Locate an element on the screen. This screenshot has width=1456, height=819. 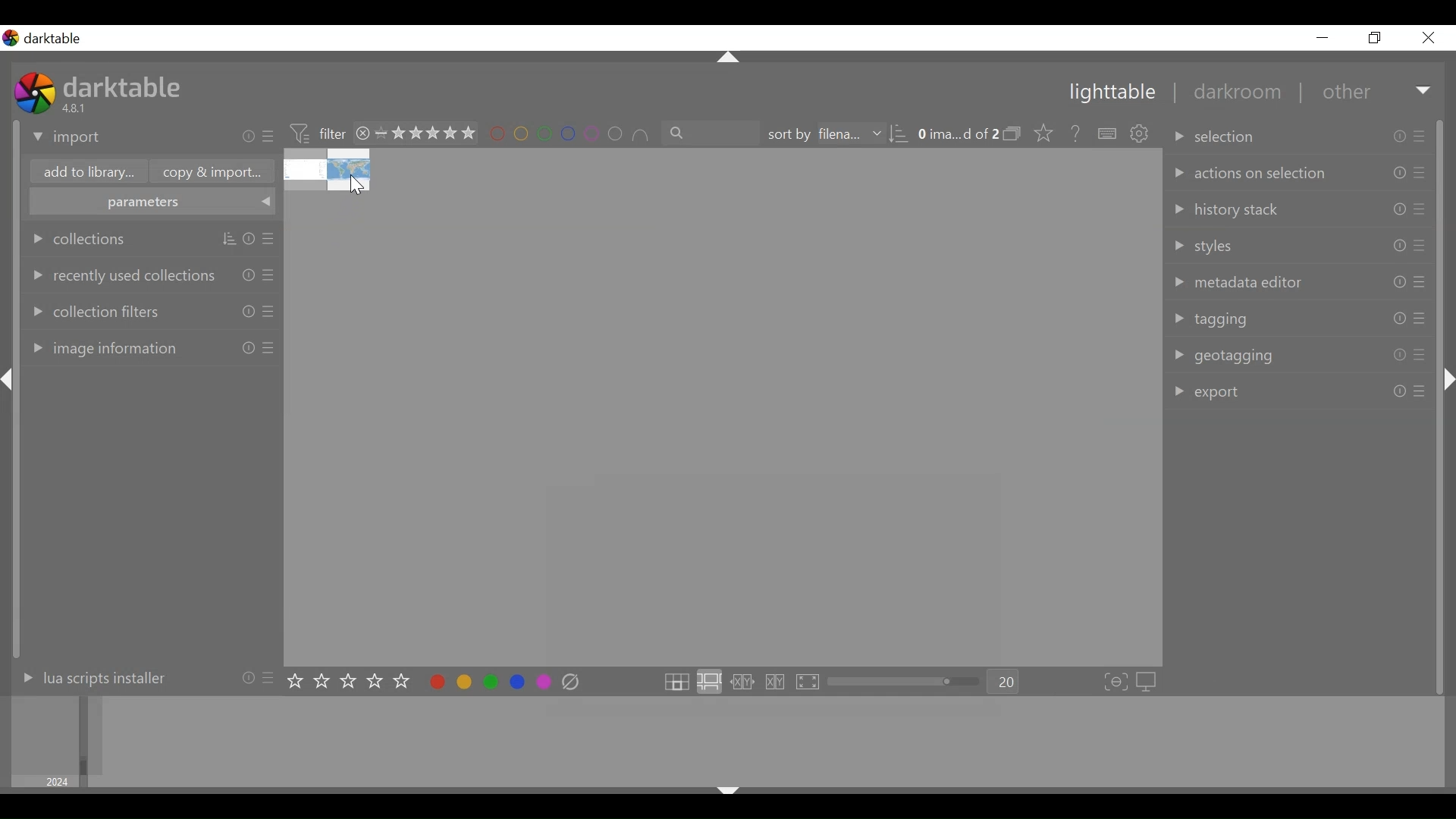
collection filters is located at coordinates (119, 312).